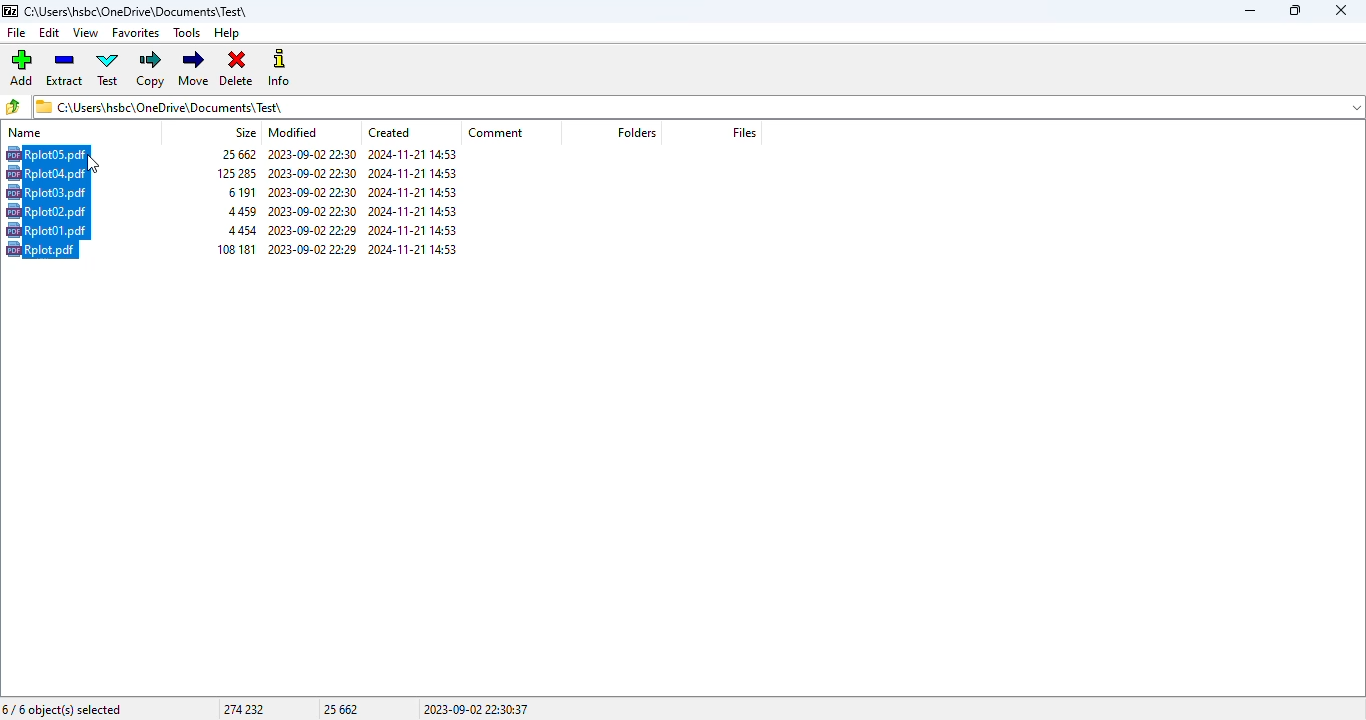  I want to click on modified date & time, so click(313, 230).